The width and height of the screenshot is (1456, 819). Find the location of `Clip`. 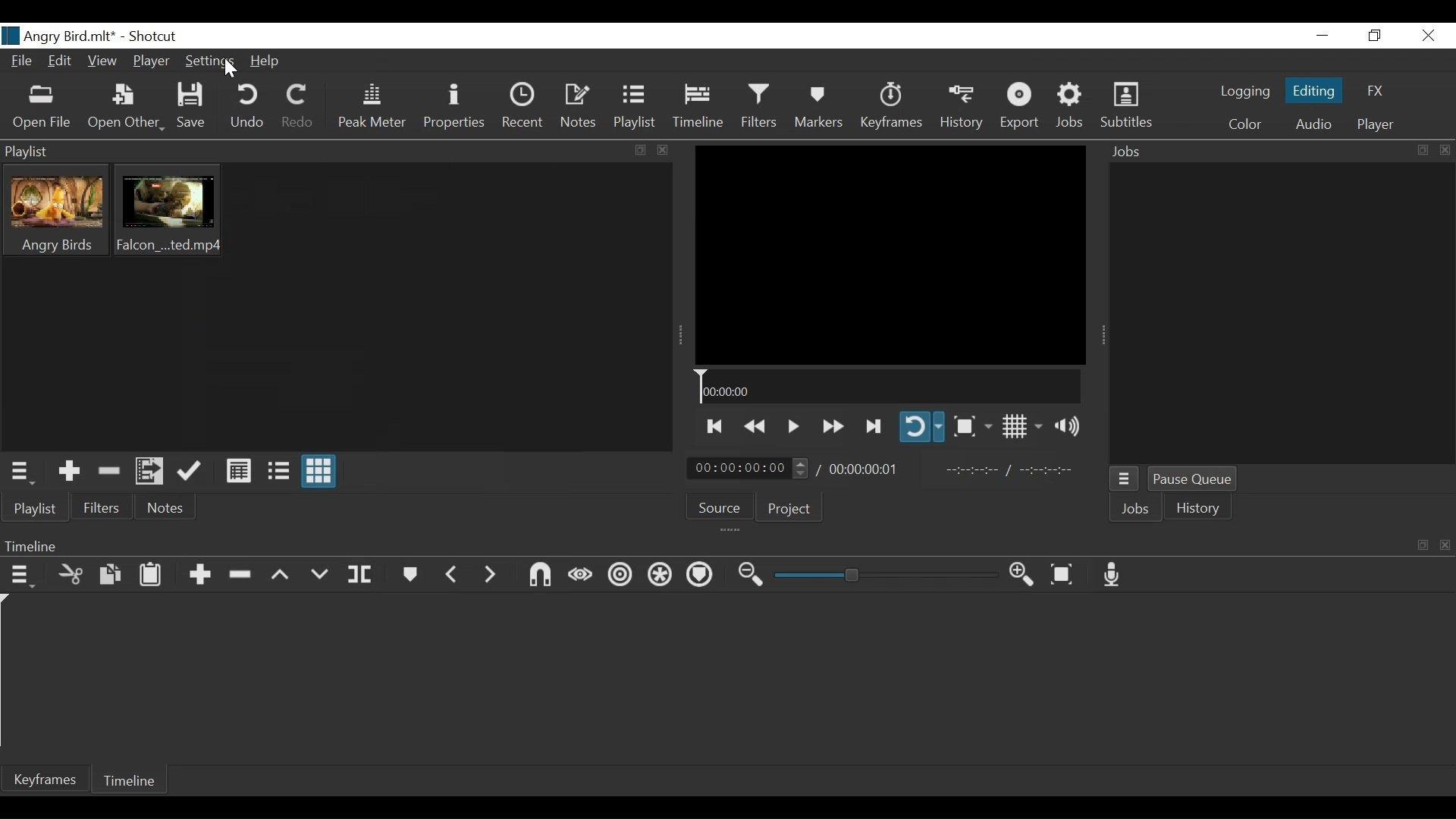

Clip is located at coordinates (58, 211).